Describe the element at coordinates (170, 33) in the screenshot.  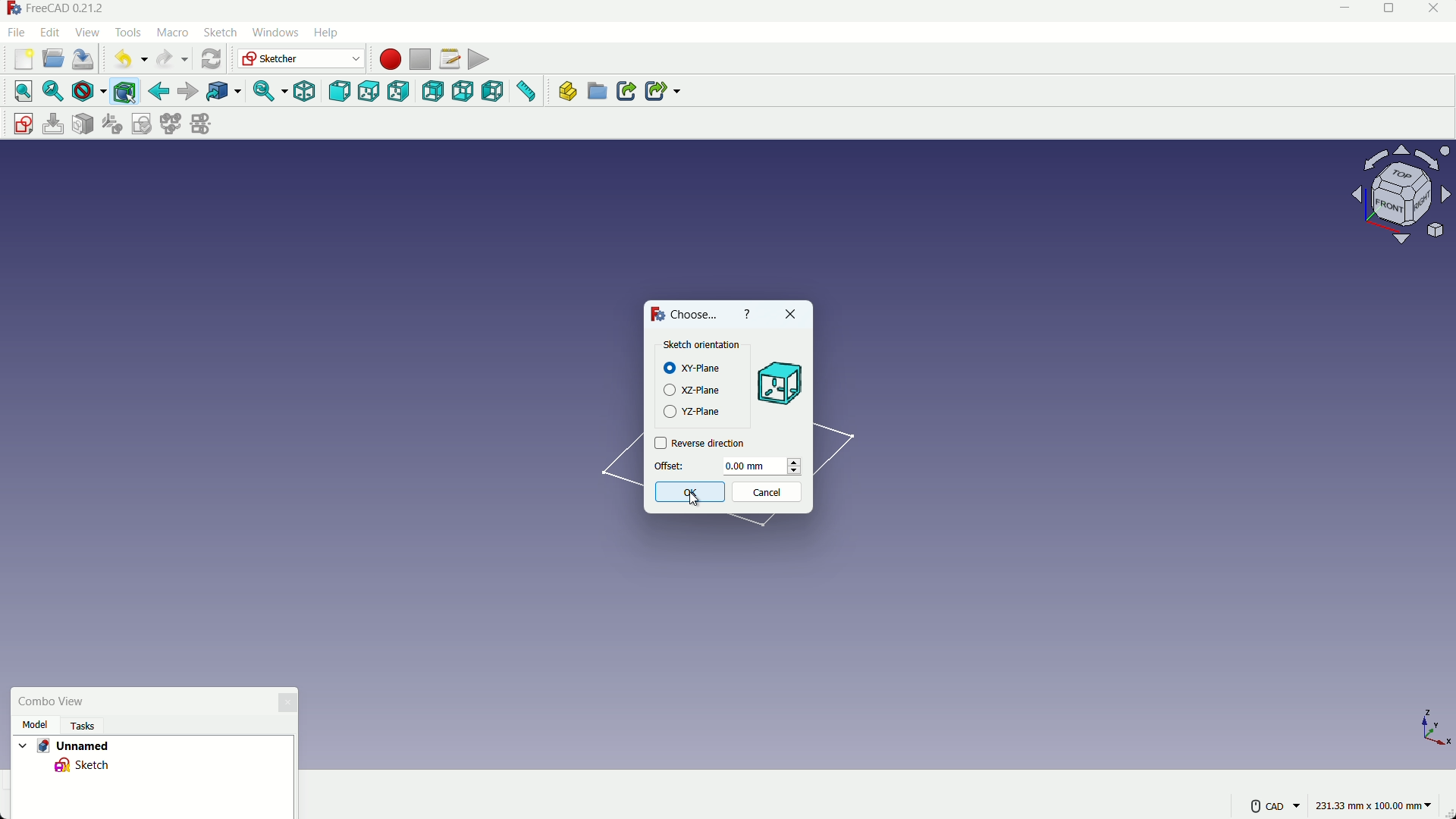
I see `macro menu` at that location.